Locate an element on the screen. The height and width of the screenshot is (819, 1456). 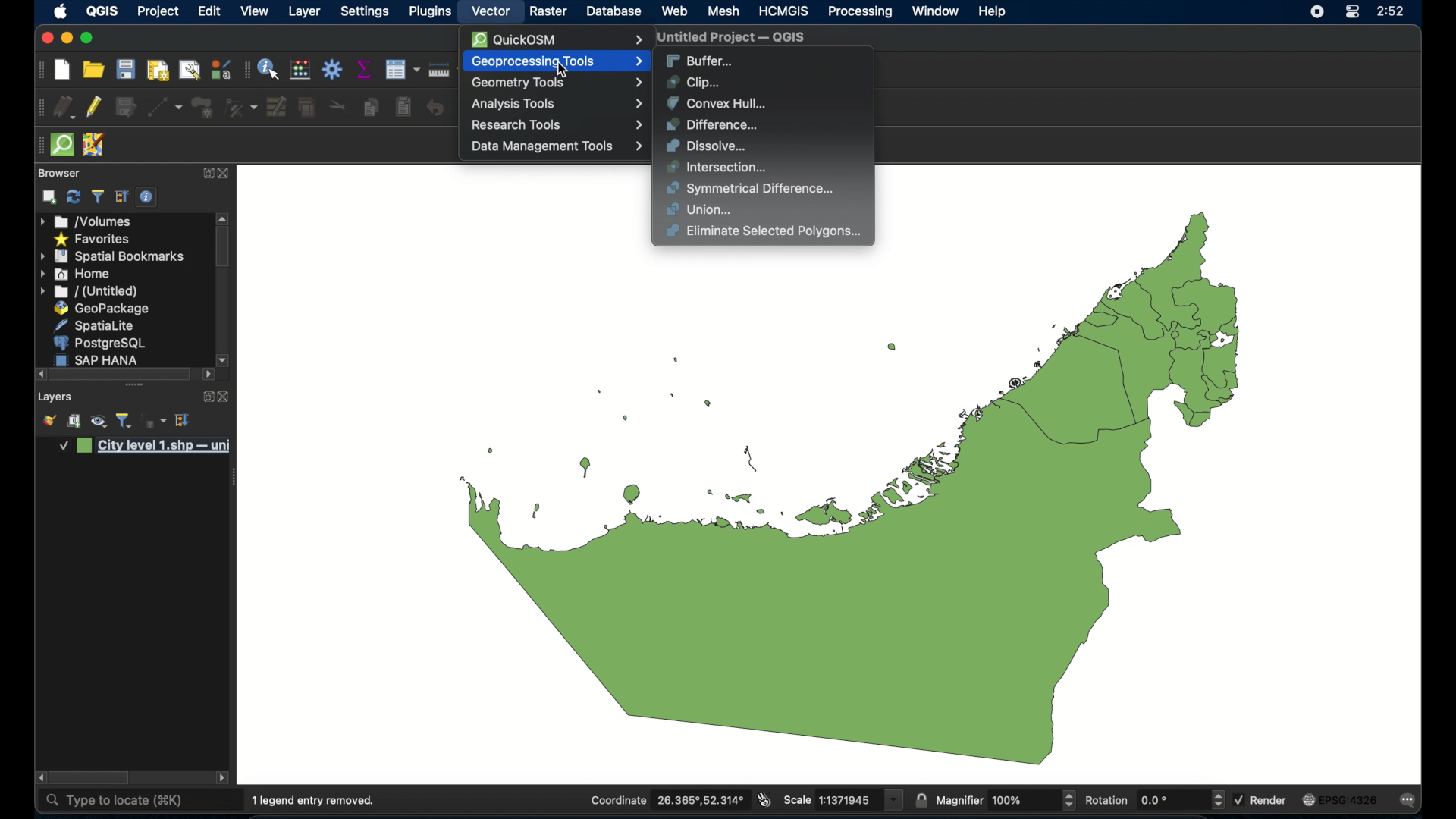
scroll right arrow is located at coordinates (40, 374).